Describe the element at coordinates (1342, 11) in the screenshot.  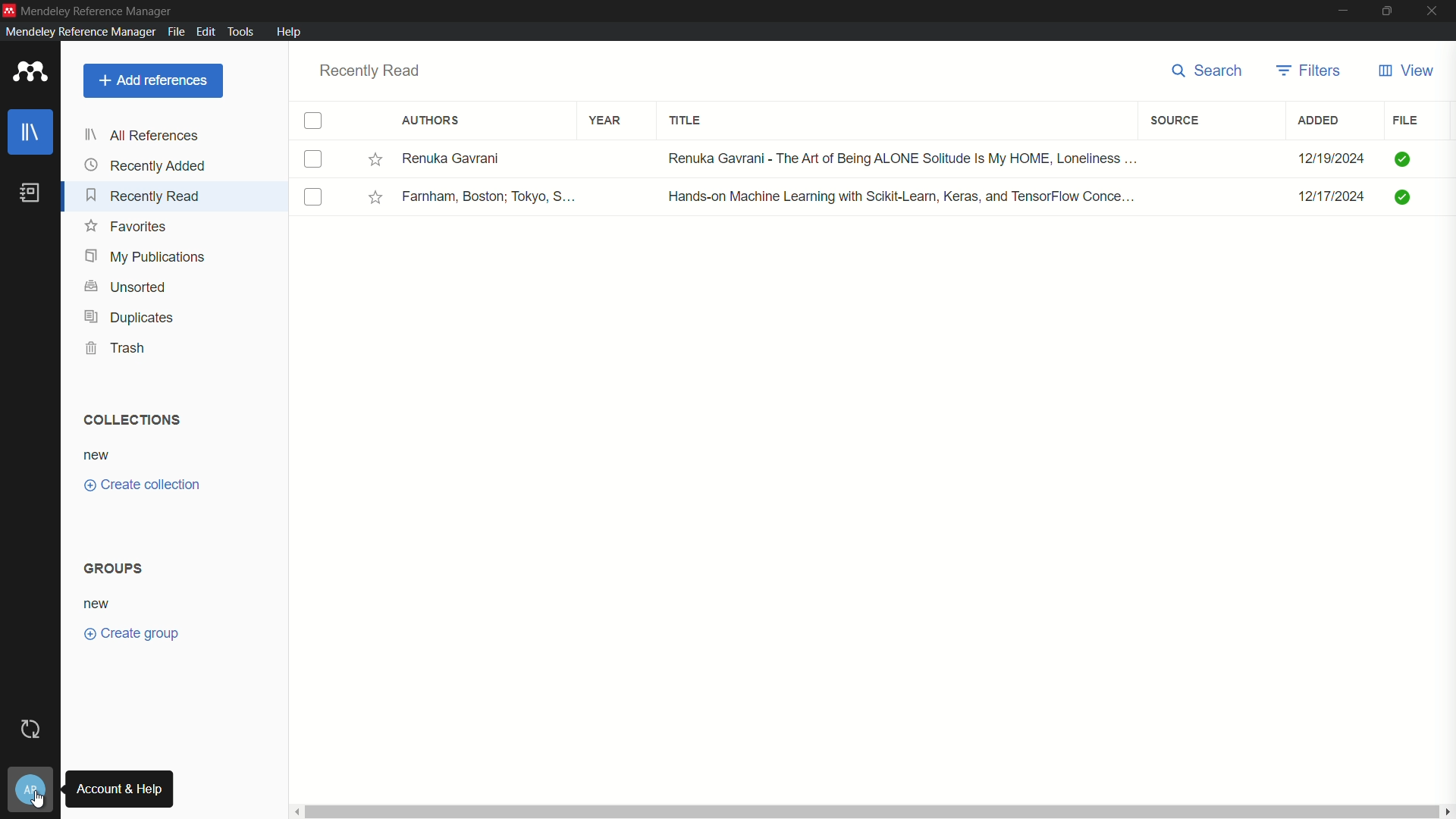
I see `minimize` at that location.